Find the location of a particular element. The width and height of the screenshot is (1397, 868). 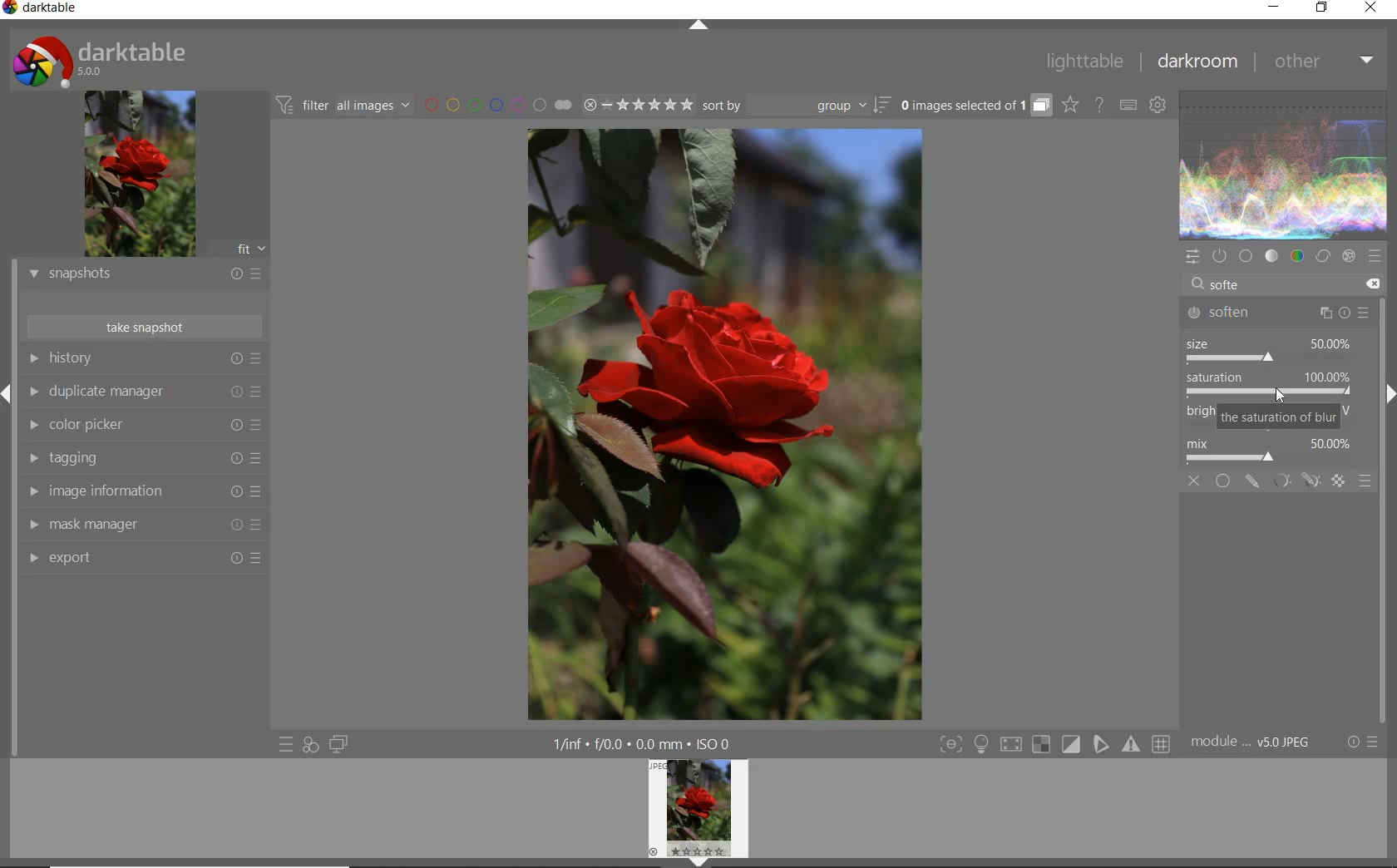

snapshots is located at coordinates (144, 275).